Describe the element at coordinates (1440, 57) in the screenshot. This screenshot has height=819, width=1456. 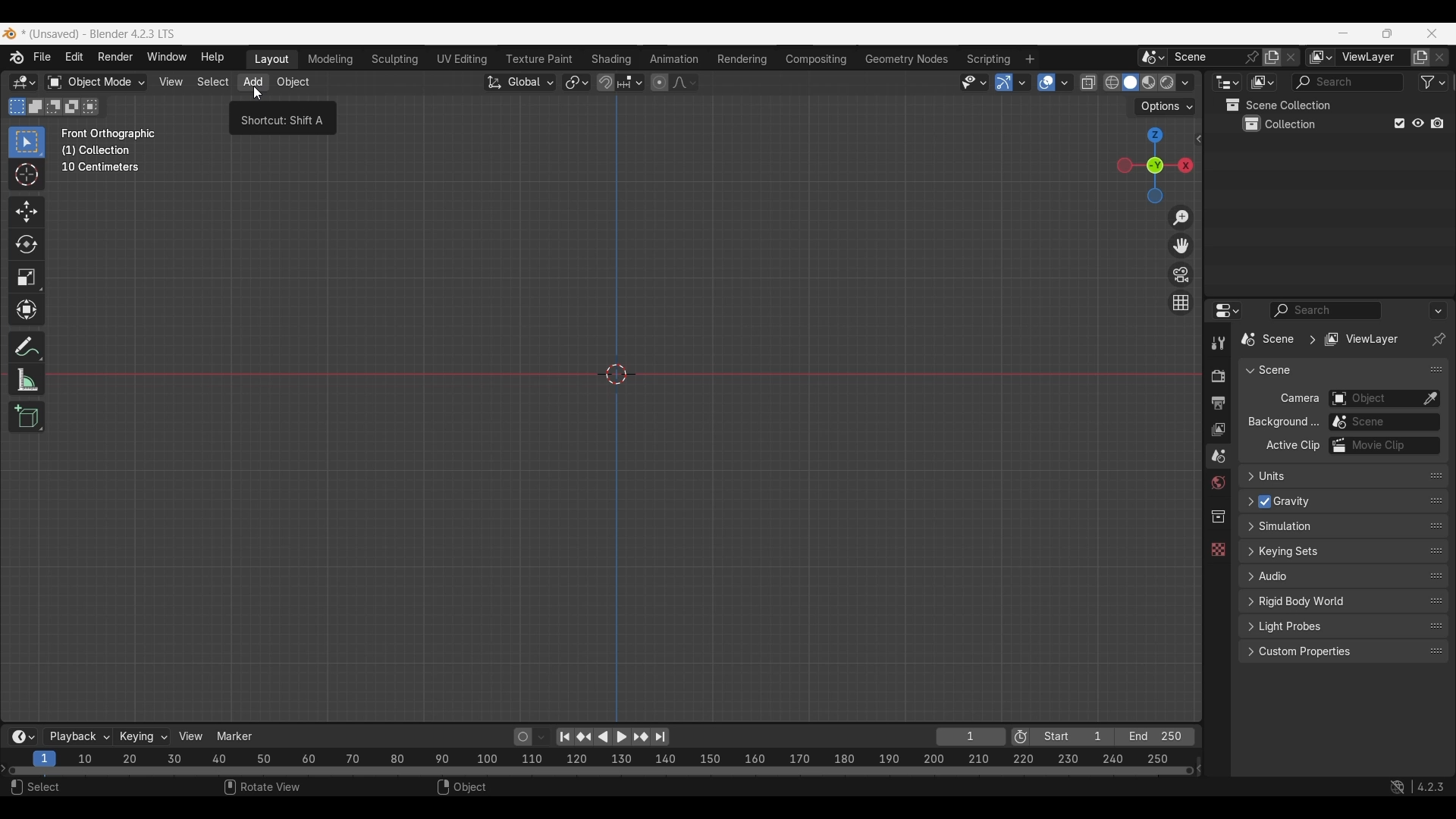
I see `Remove view layer` at that location.